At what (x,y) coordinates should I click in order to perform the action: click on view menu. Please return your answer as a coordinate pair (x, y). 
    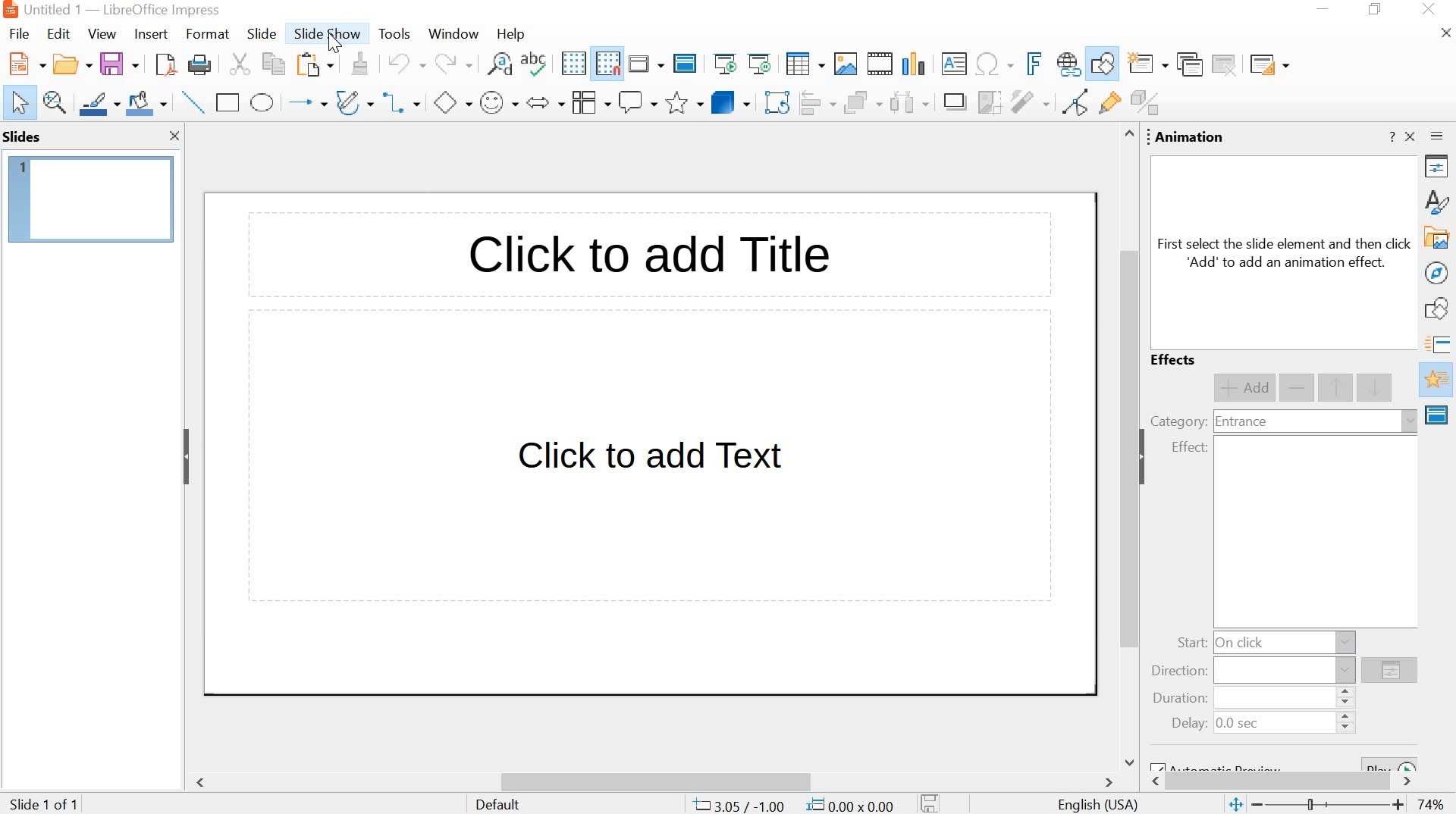
    Looking at the image, I should click on (102, 34).